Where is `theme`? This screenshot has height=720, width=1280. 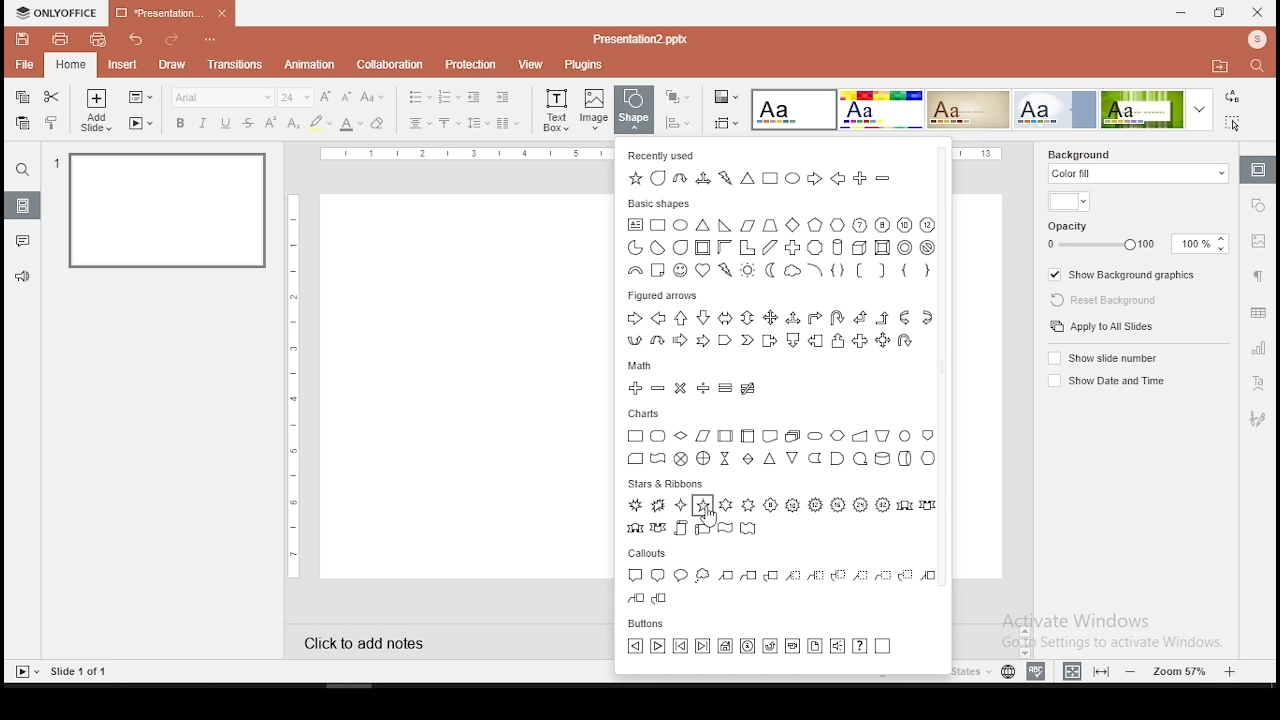
theme is located at coordinates (795, 111).